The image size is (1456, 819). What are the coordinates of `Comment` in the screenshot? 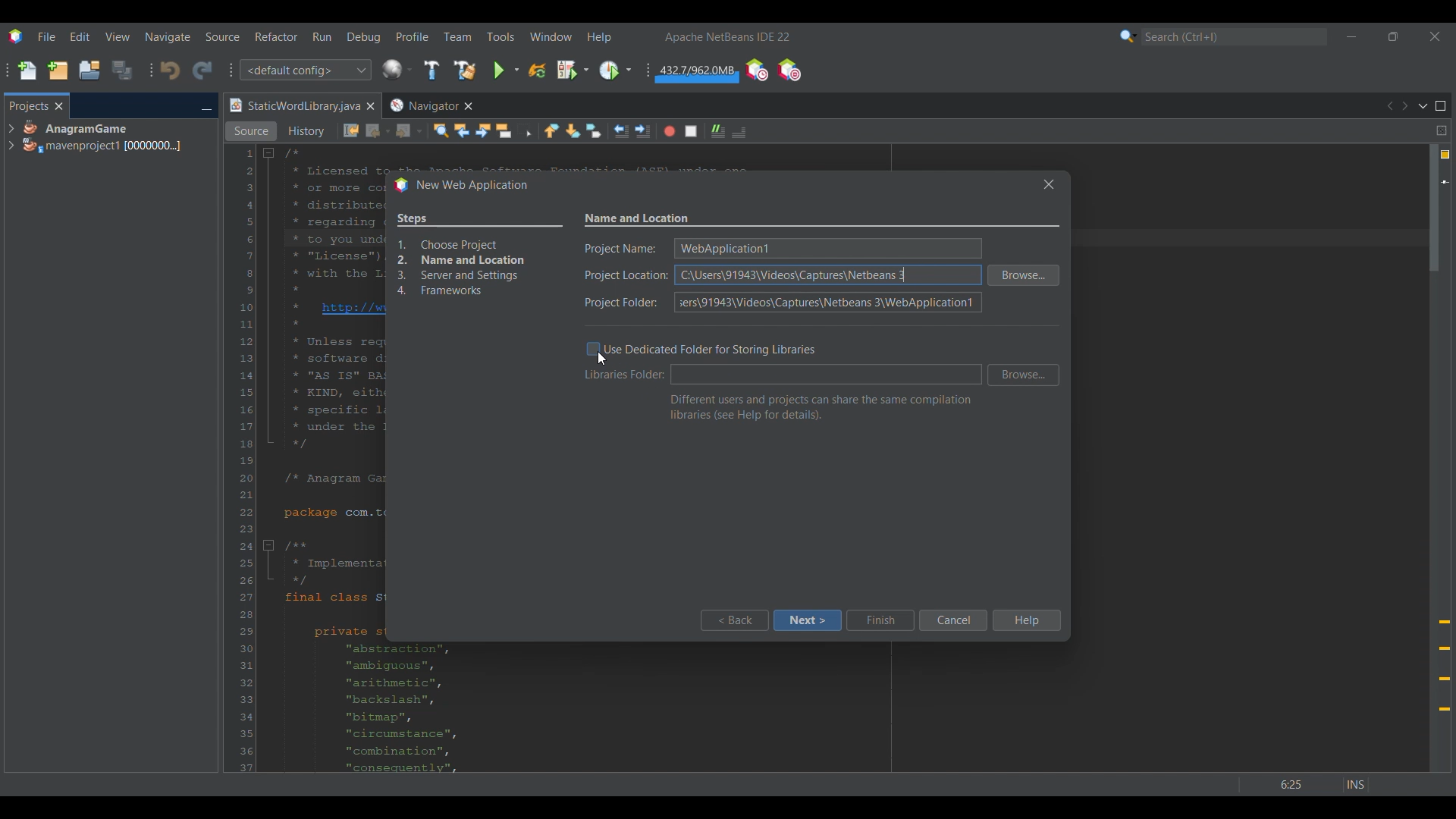 It's located at (739, 132).